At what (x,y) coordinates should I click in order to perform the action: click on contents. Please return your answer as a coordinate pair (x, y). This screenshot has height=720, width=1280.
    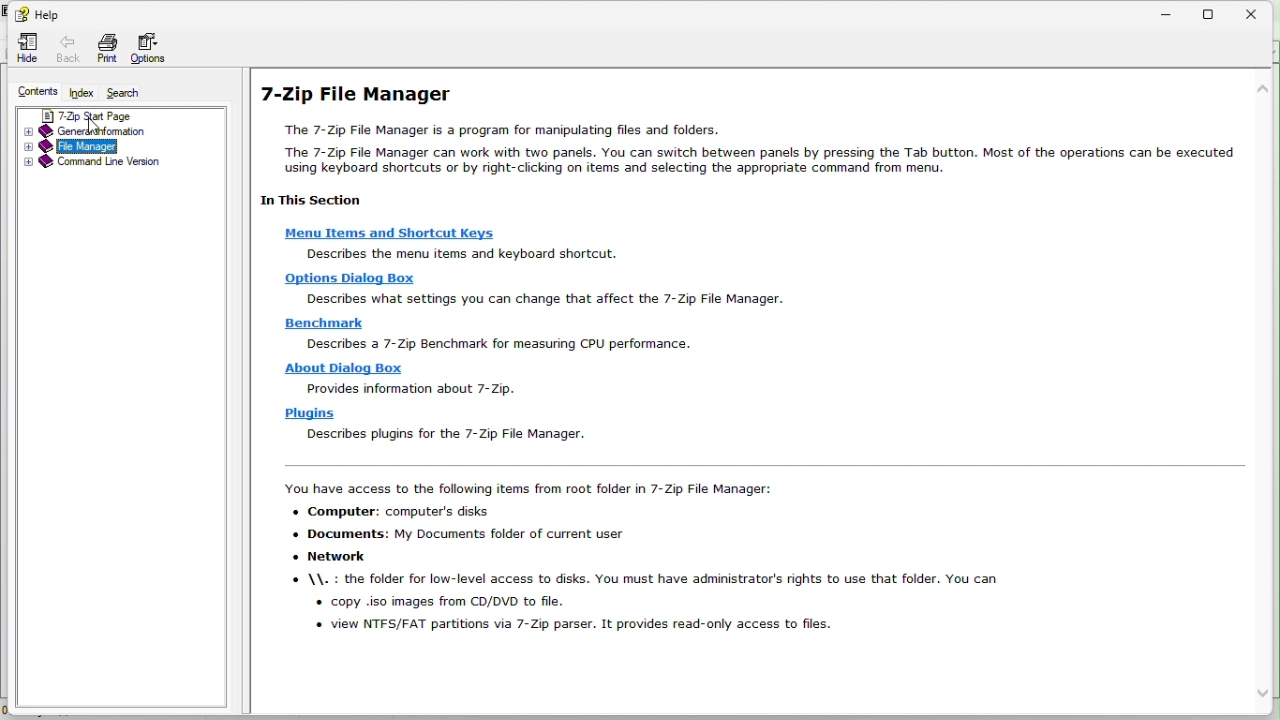
    Looking at the image, I should click on (34, 91).